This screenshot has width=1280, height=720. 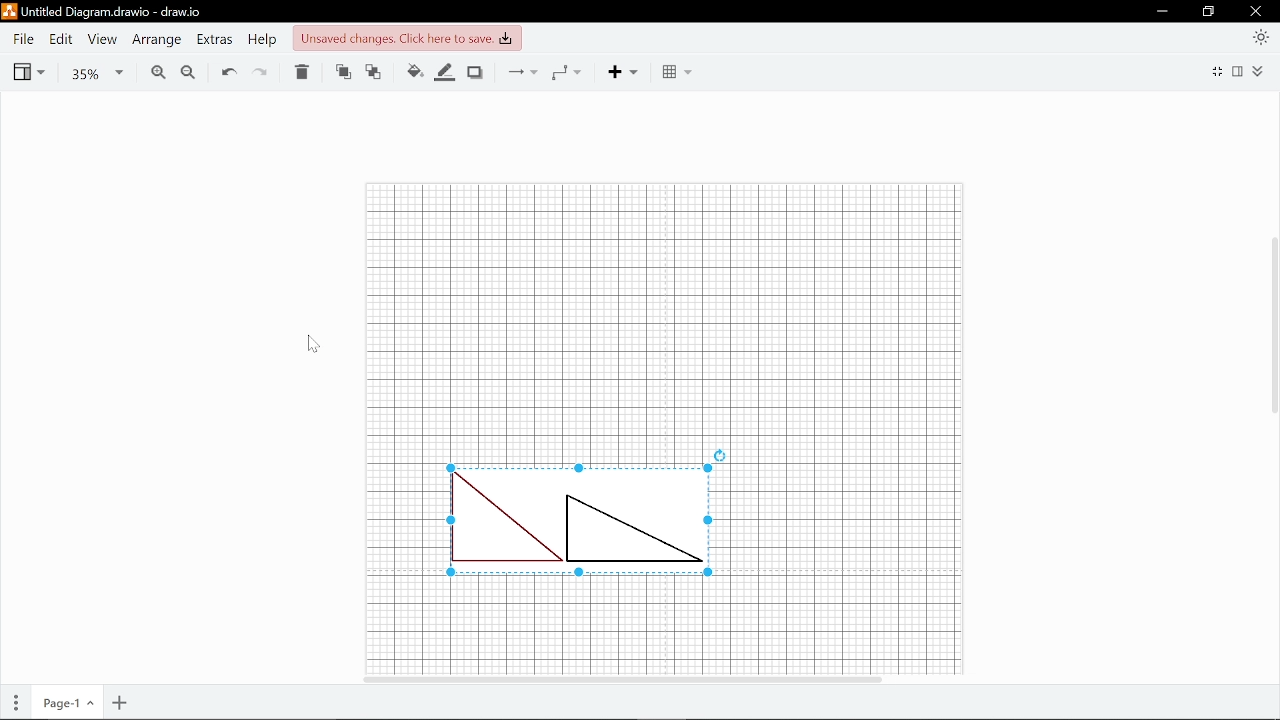 I want to click on Grid lines, so click(x=666, y=309).